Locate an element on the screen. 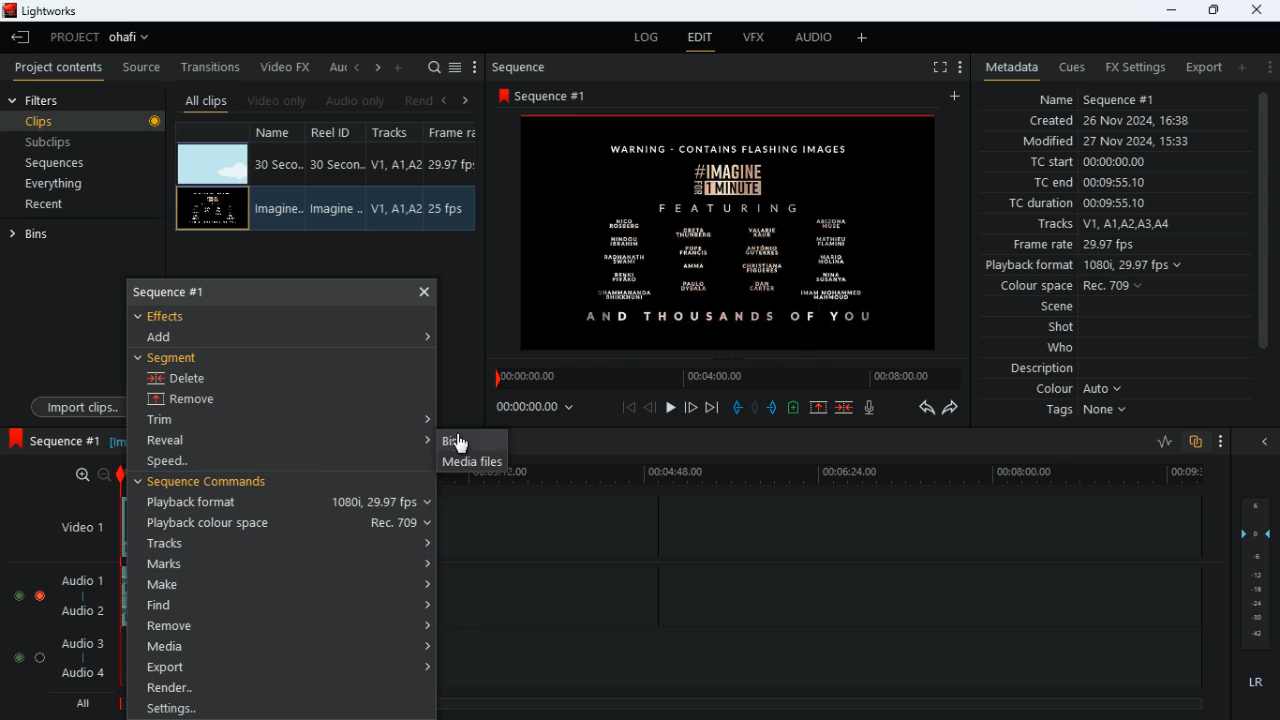 The width and height of the screenshot is (1280, 720). Frame rate is located at coordinates (453, 165).